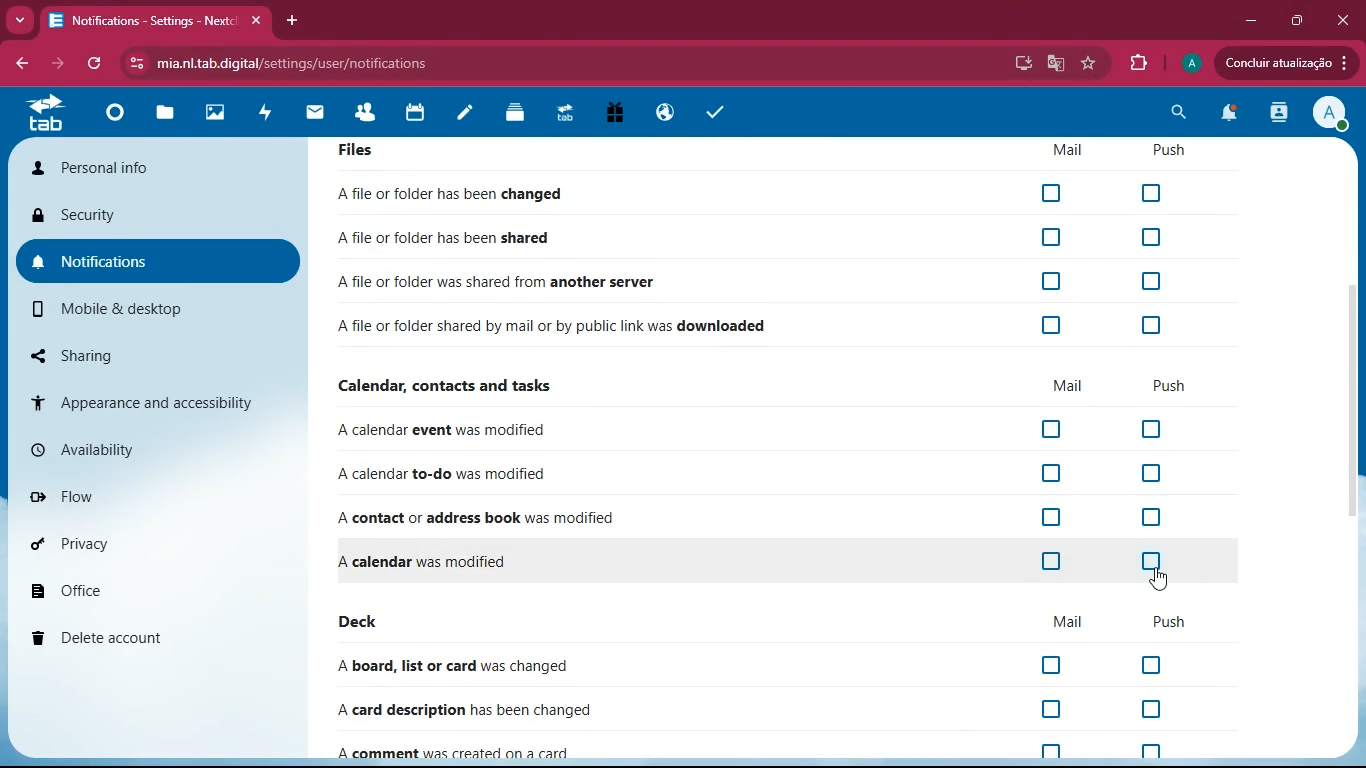 The height and width of the screenshot is (768, 1366). I want to click on push, so click(1165, 385).